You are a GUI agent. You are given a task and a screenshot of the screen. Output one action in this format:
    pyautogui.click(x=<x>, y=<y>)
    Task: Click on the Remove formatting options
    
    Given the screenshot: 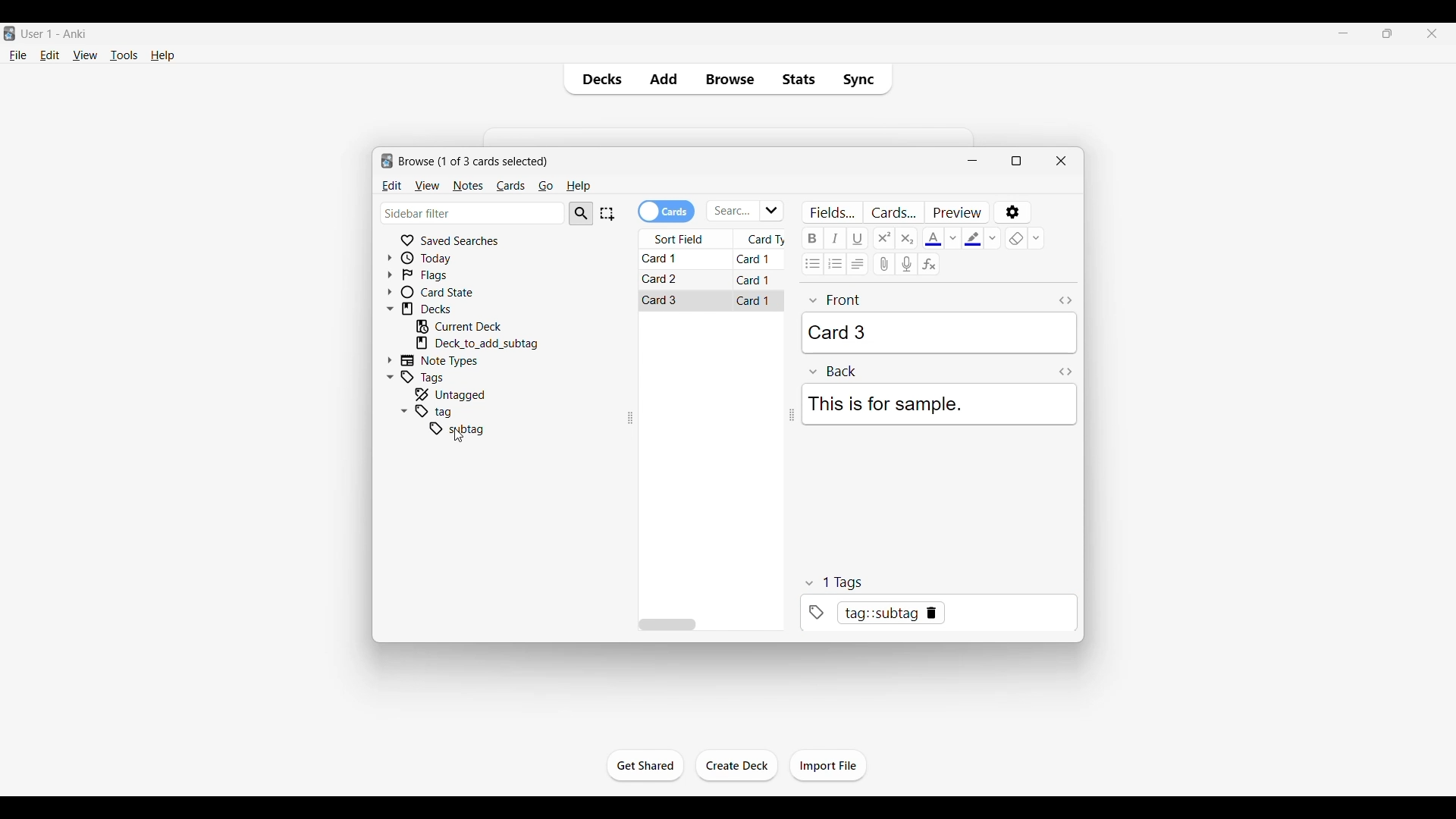 What is the action you would take?
    pyautogui.click(x=1036, y=238)
    